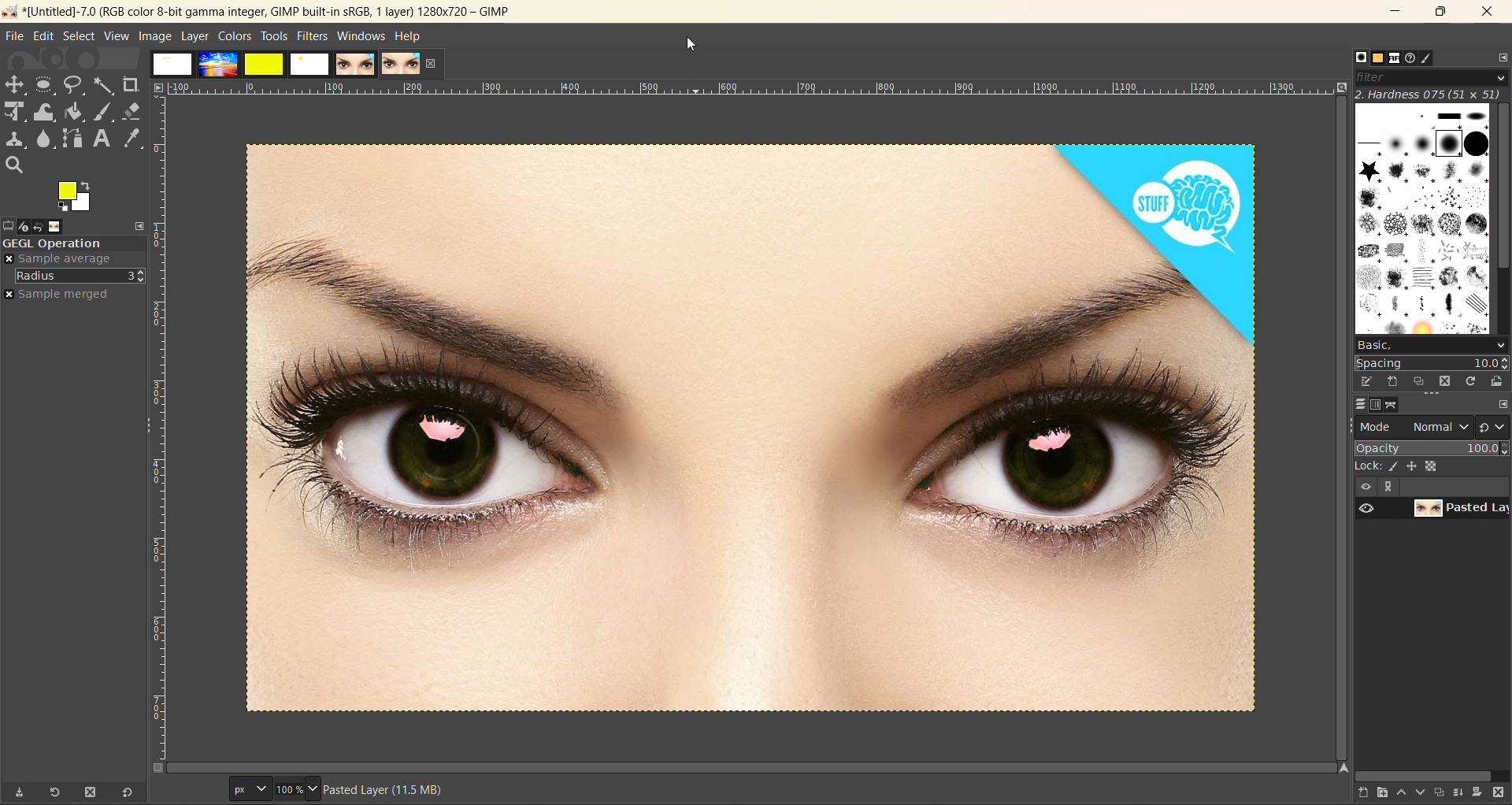 The image size is (1512, 805). What do you see at coordinates (1432, 448) in the screenshot?
I see `opacity` at bounding box center [1432, 448].